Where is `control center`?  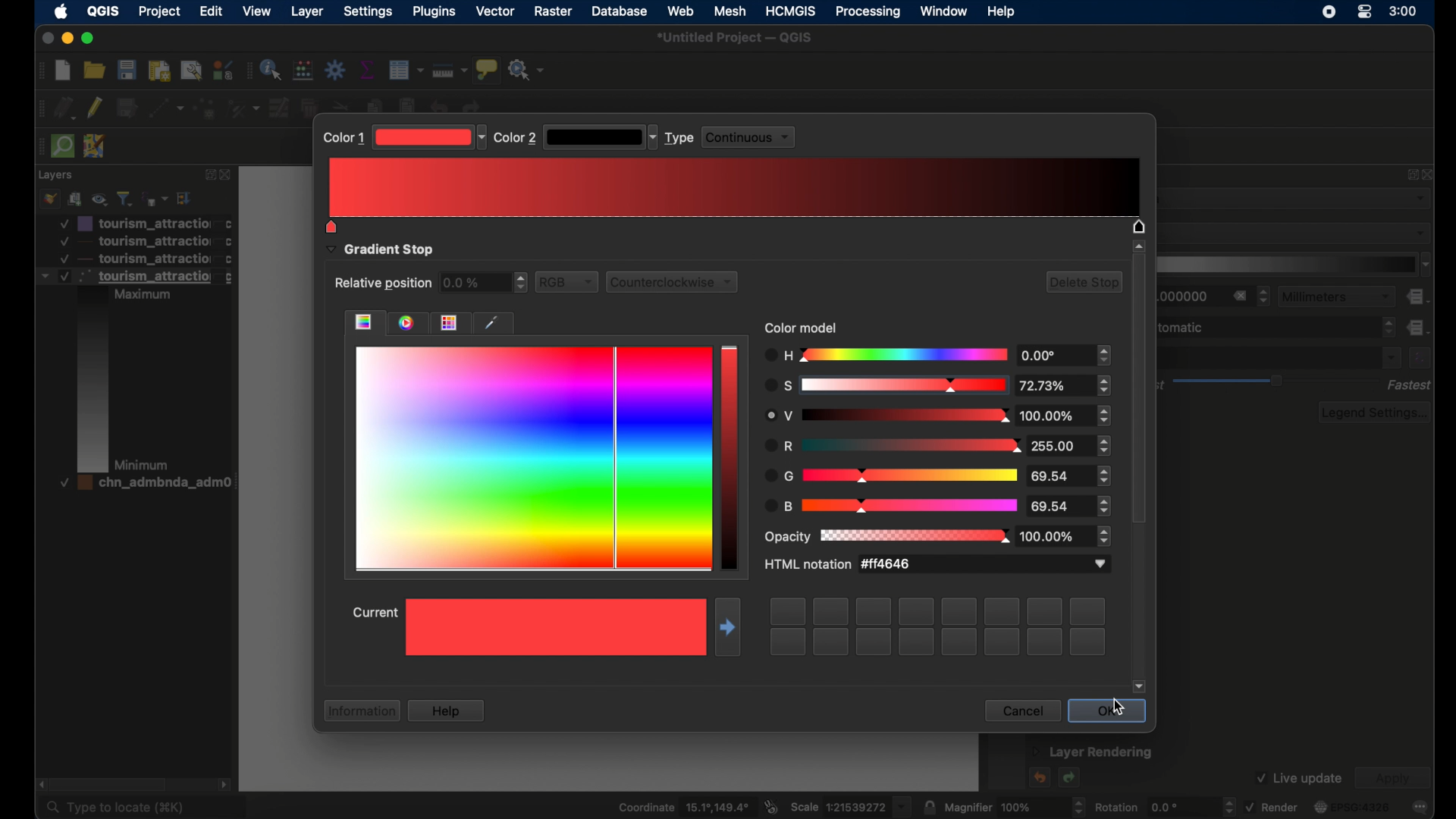 control center is located at coordinates (1364, 11).